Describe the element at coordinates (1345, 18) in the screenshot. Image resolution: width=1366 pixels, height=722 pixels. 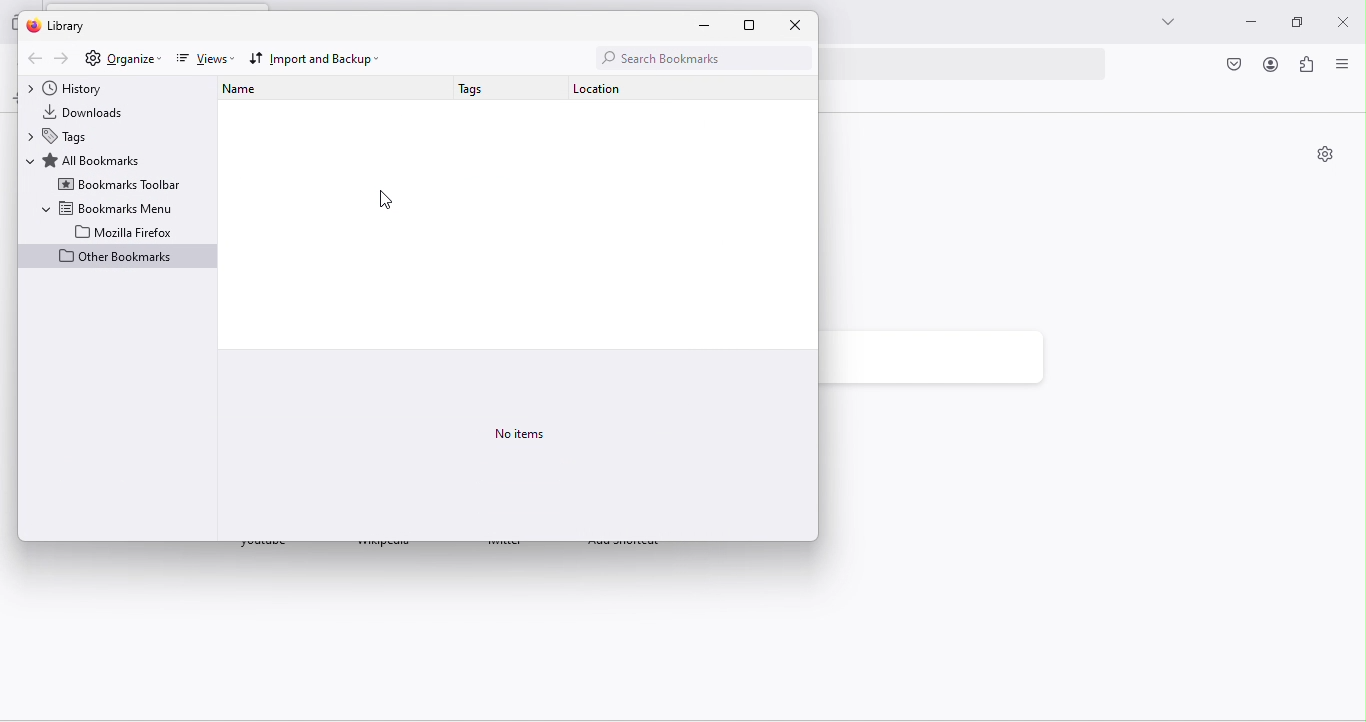
I see `close` at that location.